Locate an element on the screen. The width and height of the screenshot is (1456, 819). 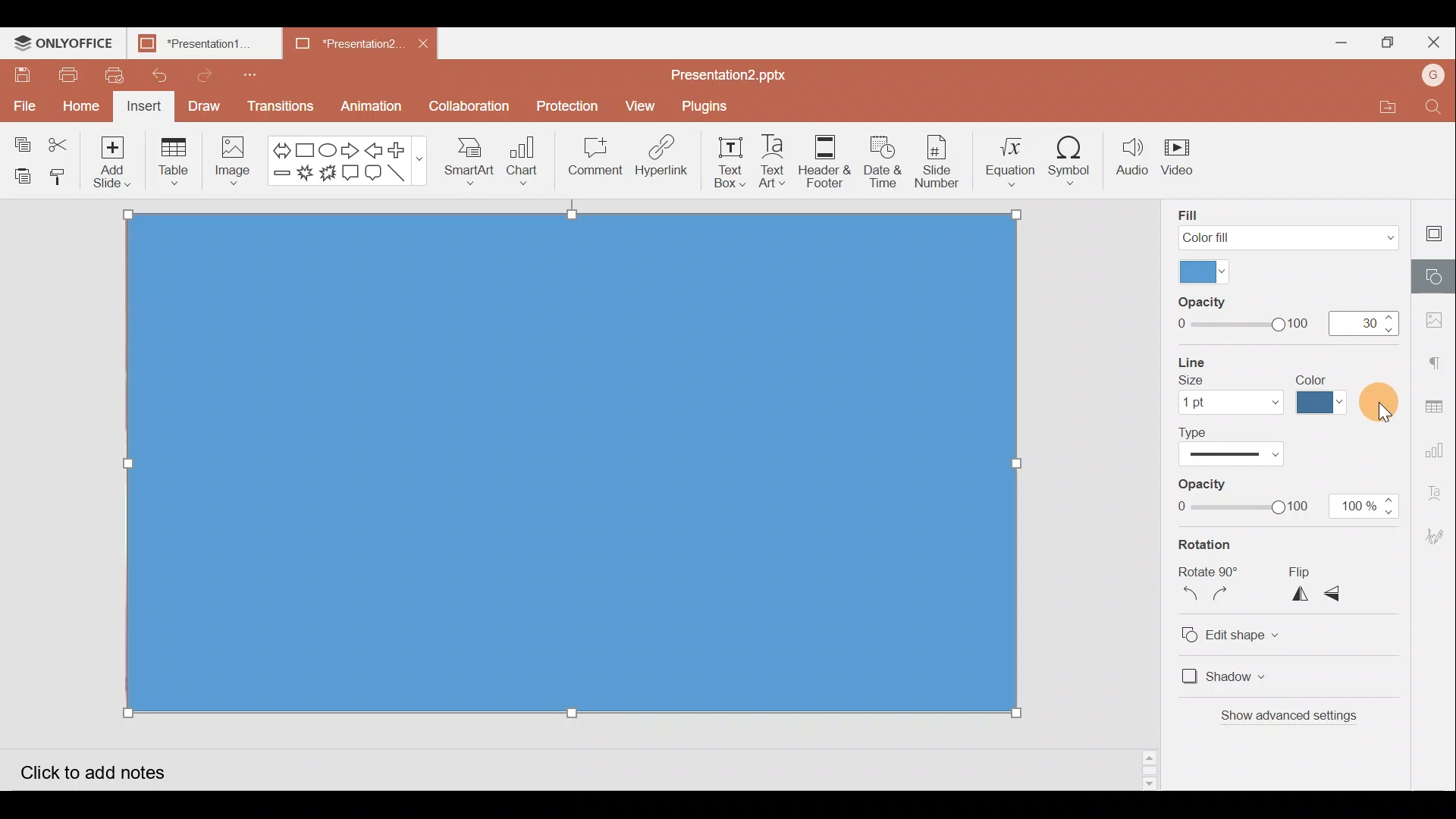
Paragraph settings is located at coordinates (1441, 357).